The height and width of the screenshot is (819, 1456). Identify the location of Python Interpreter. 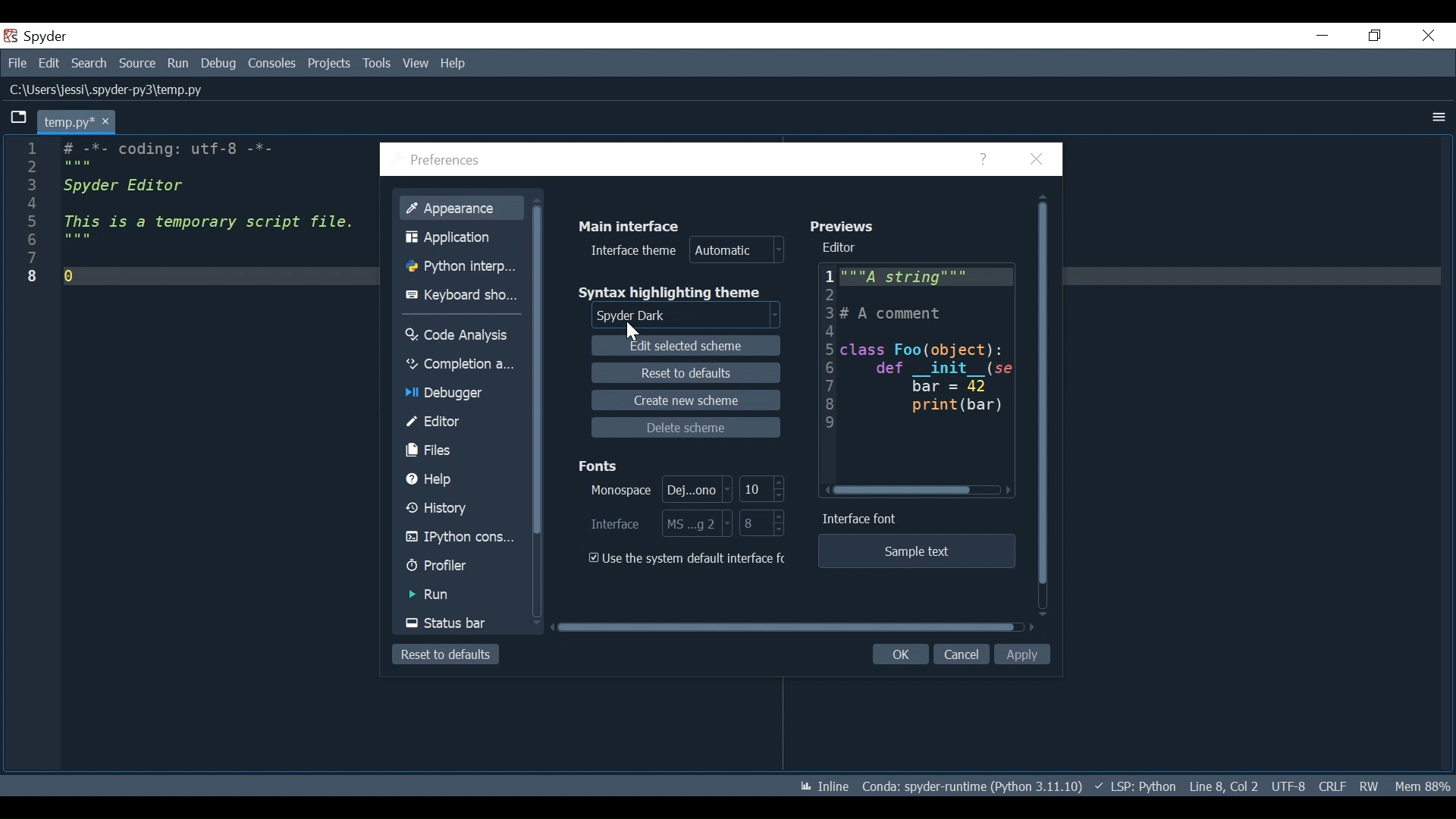
(462, 266).